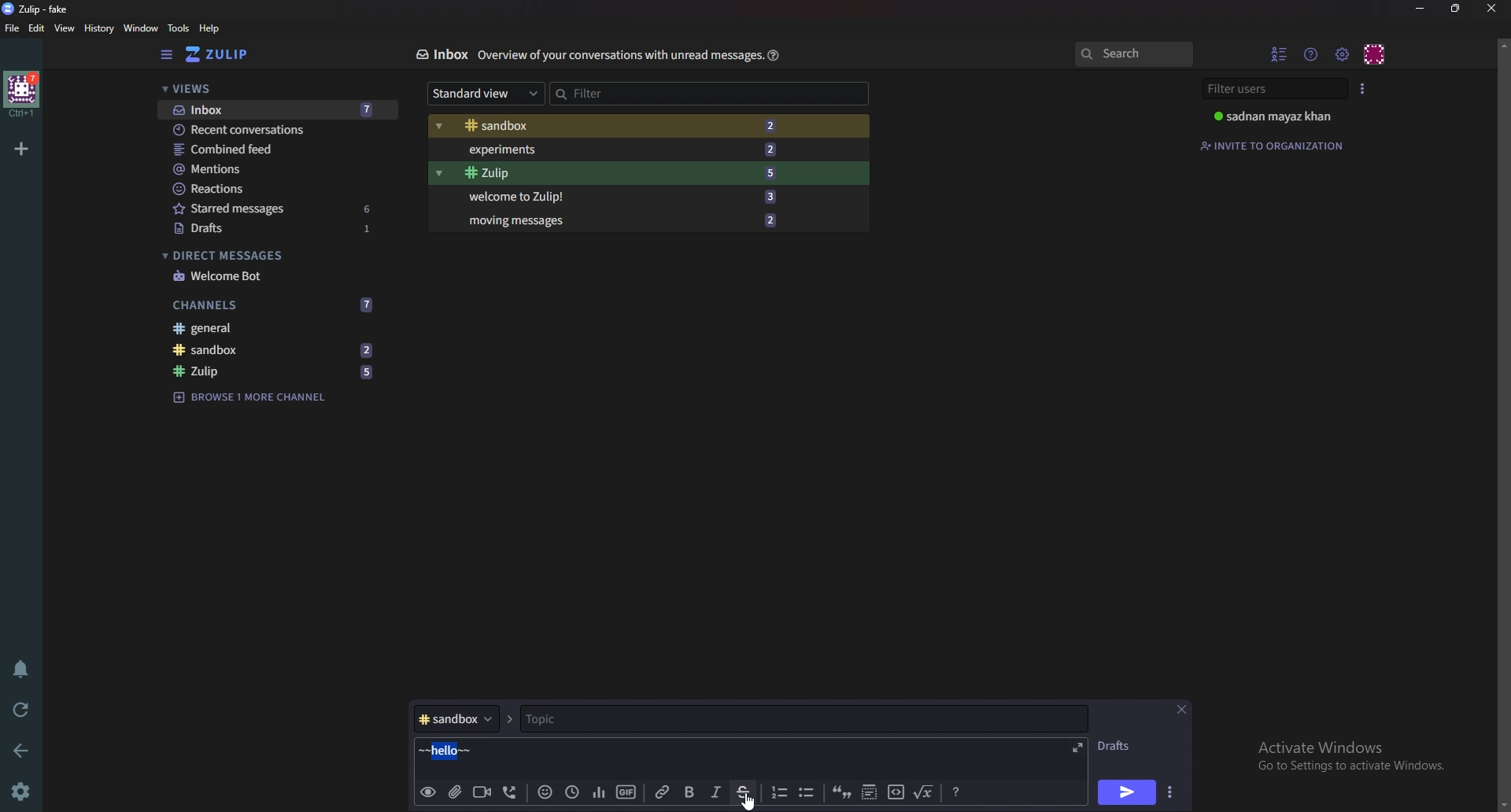 This screenshot has width=1511, height=812. What do you see at coordinates (809, 792) in the screenshot?
I see `Bullet list` at bounding box center [809, 792].